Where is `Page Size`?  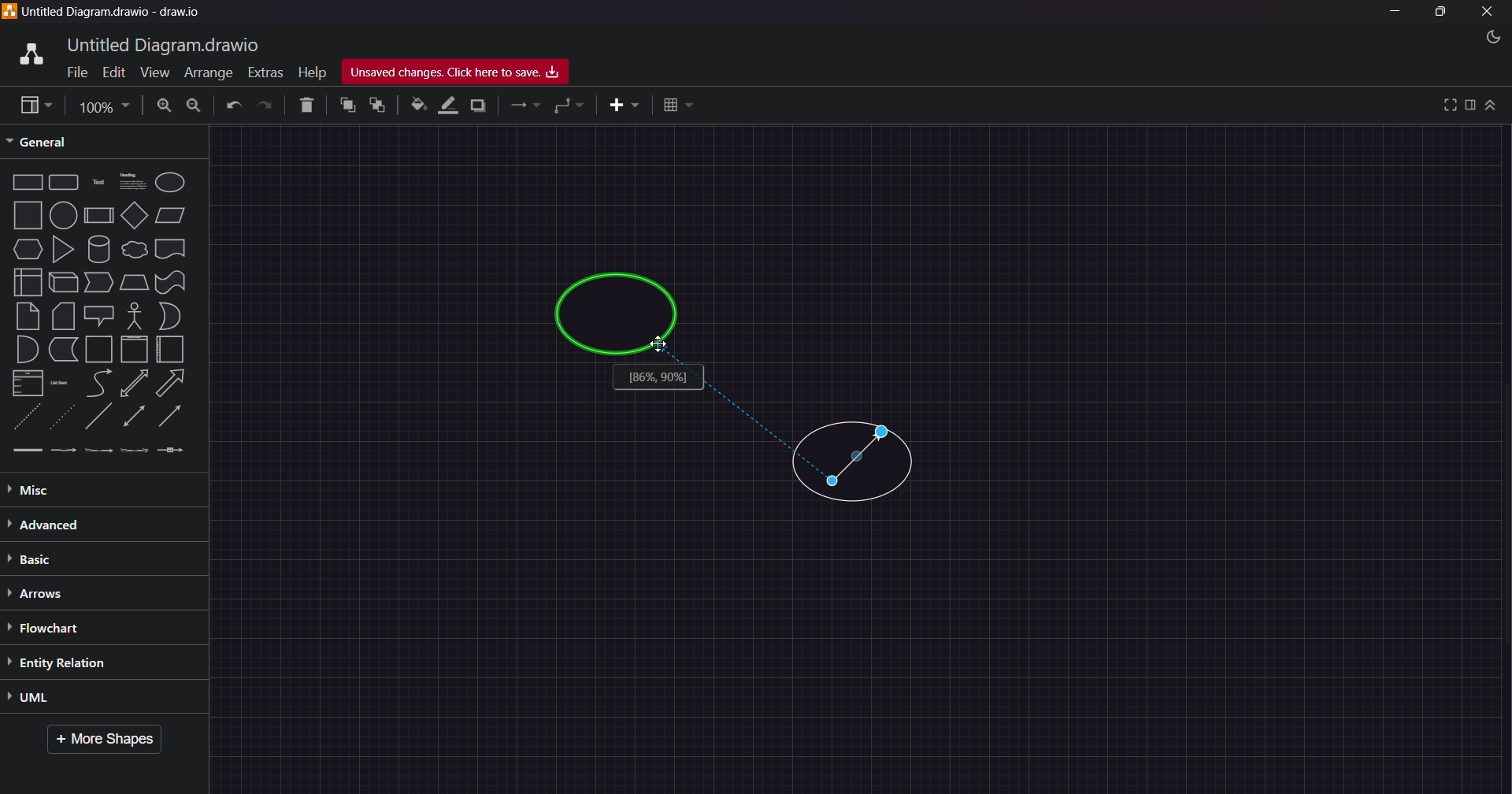
Page Size is located at coordinates (102, 105).